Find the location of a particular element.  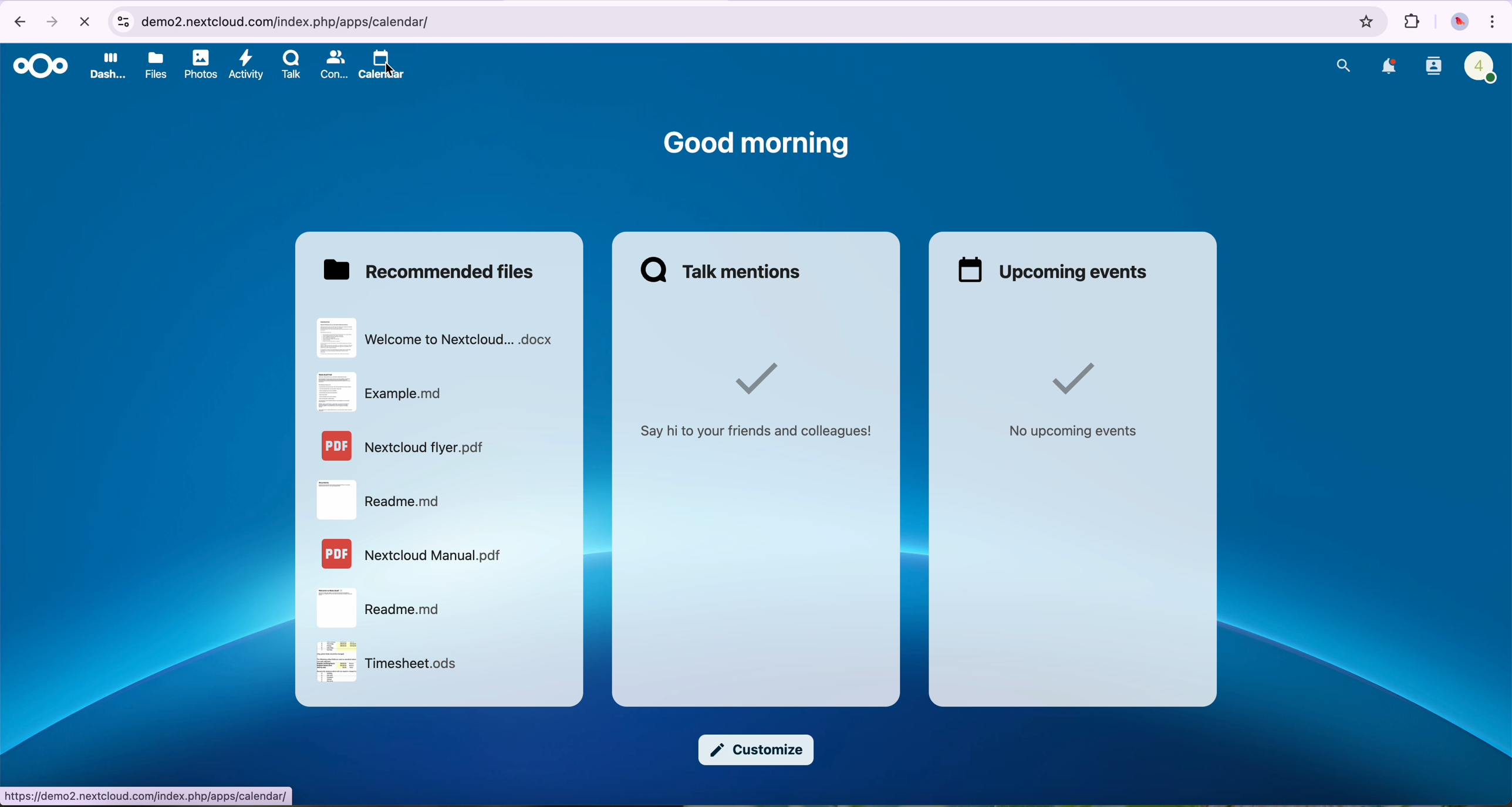

no upcoming events is located at coordinates (1075, 400).